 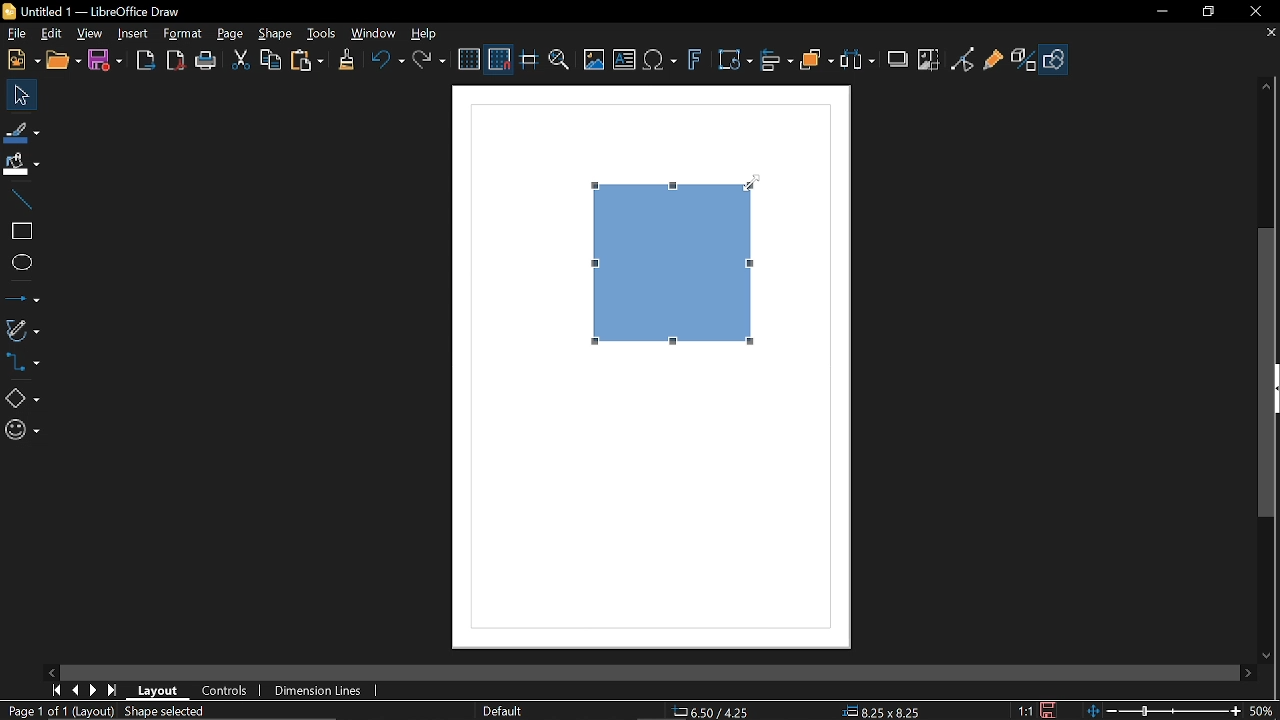 I want to click on Redo, so click(x=431, y=60).